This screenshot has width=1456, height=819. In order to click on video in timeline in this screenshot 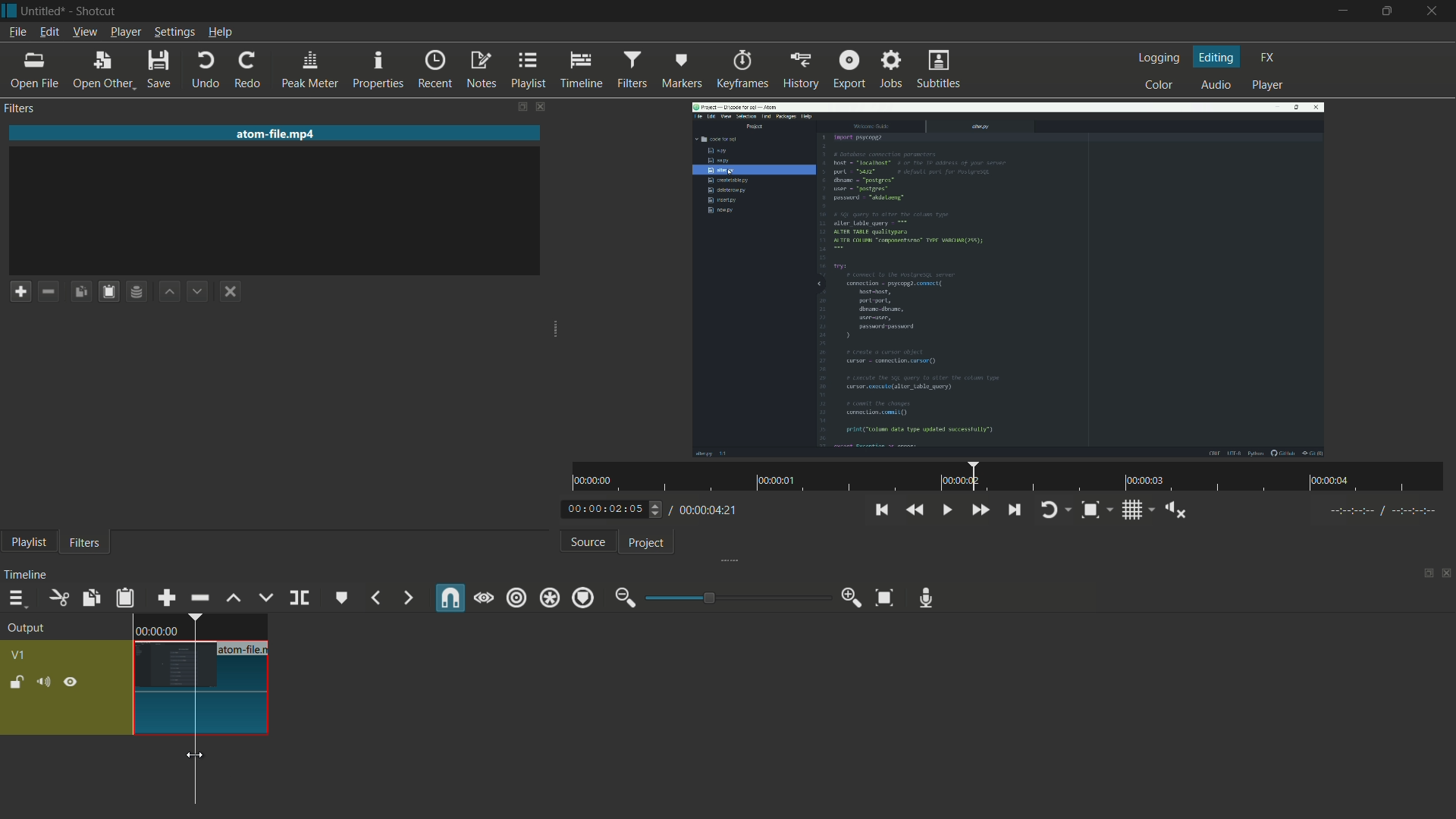, I will do `click(201, 675)`.